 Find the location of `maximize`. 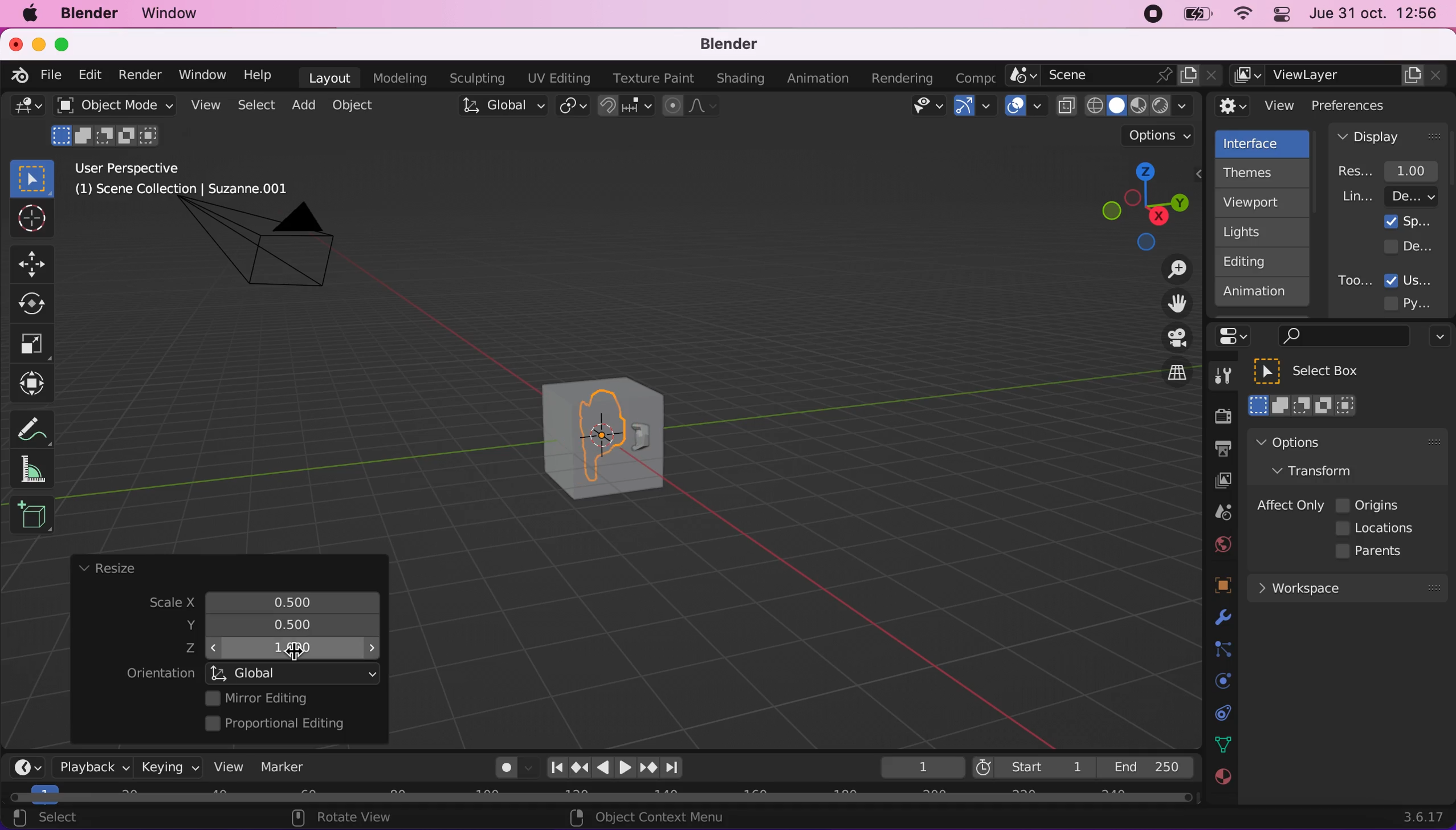

maximize is located at coordinates (68, 44).